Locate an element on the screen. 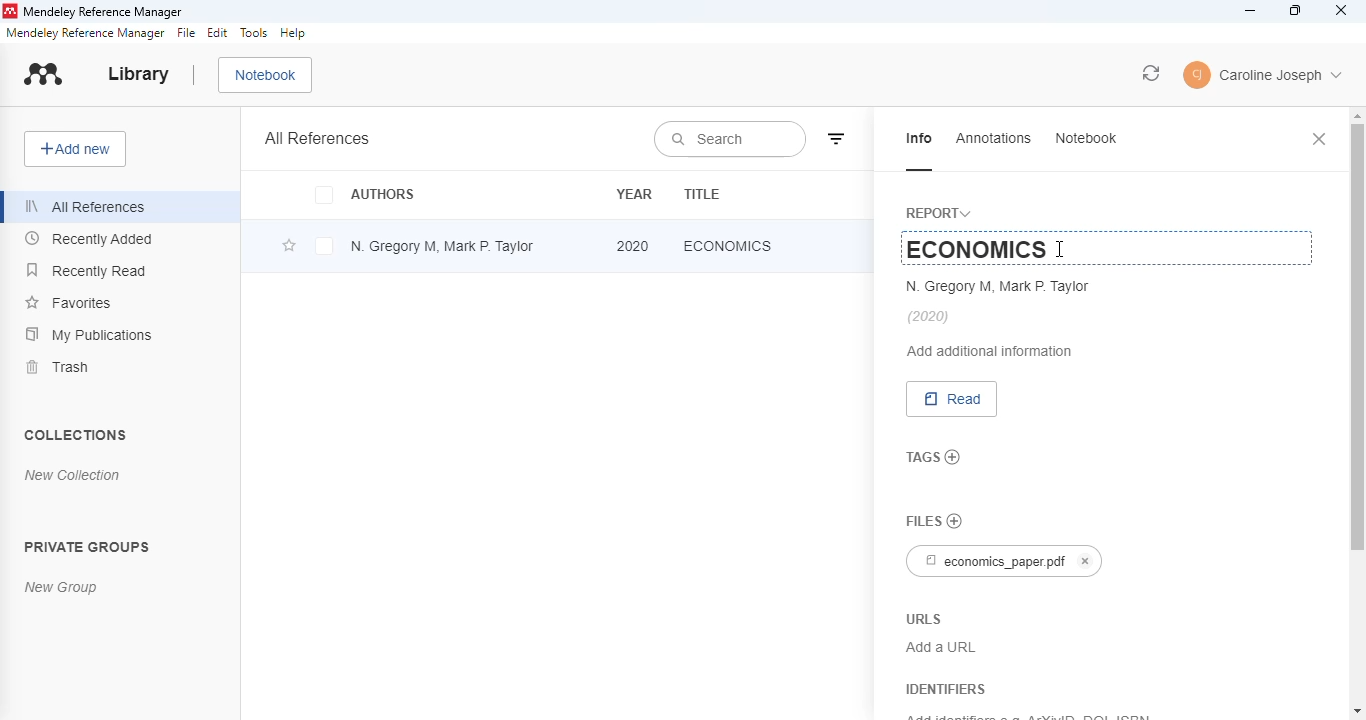 The image size is (1366, 720). year is located at coordinates (634, 193).